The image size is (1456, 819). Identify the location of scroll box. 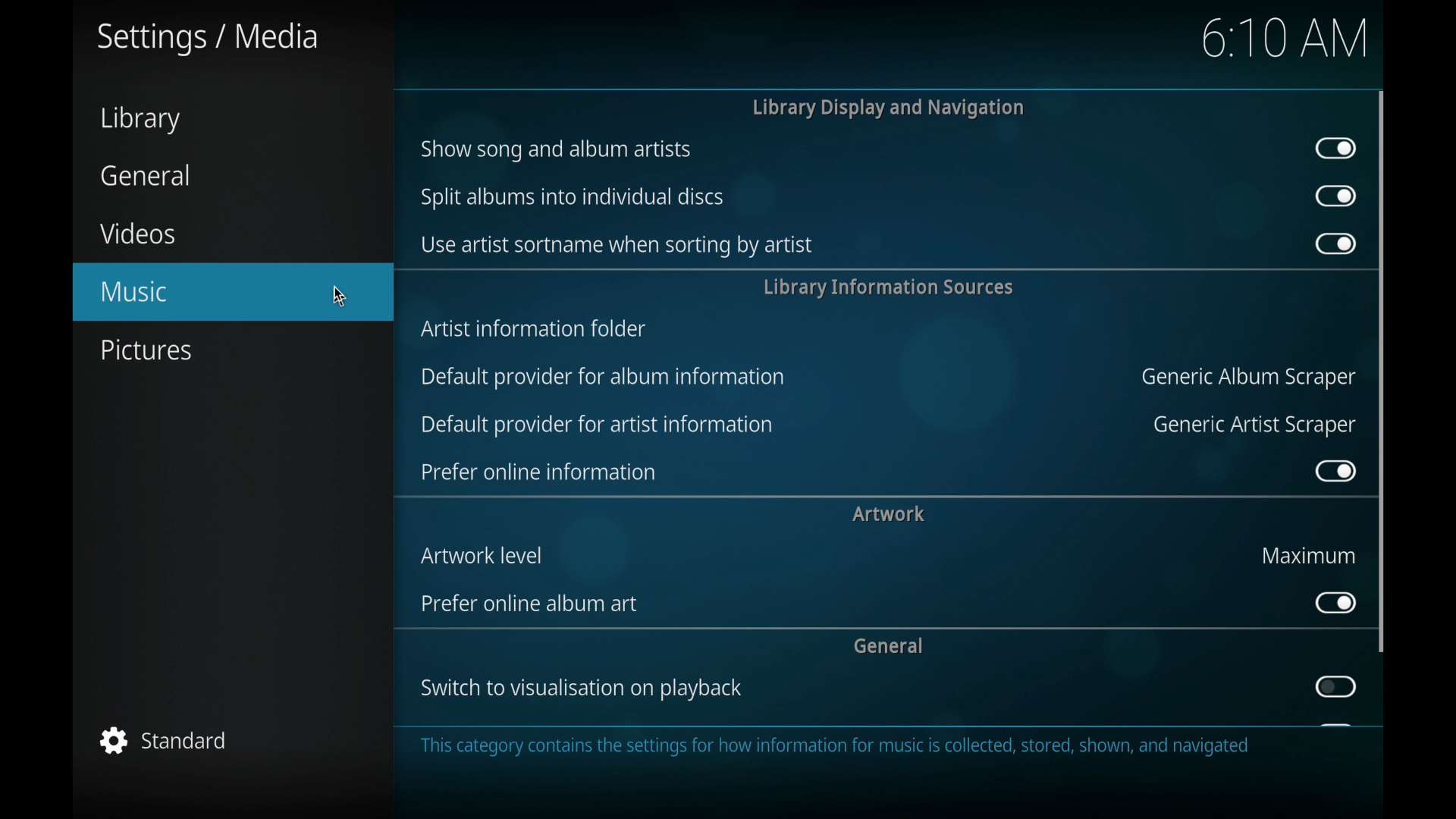
(1382, 371).